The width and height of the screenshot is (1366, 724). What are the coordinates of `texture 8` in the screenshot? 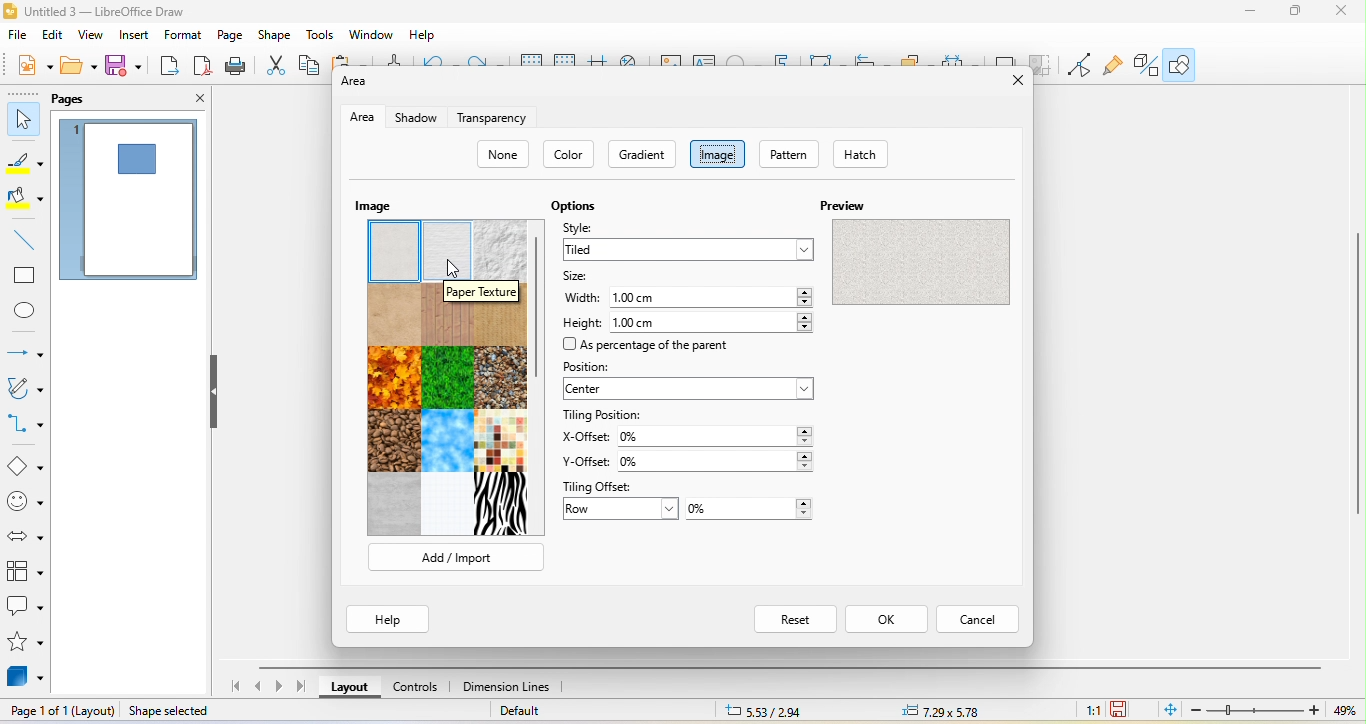 It's located at (449, 378).